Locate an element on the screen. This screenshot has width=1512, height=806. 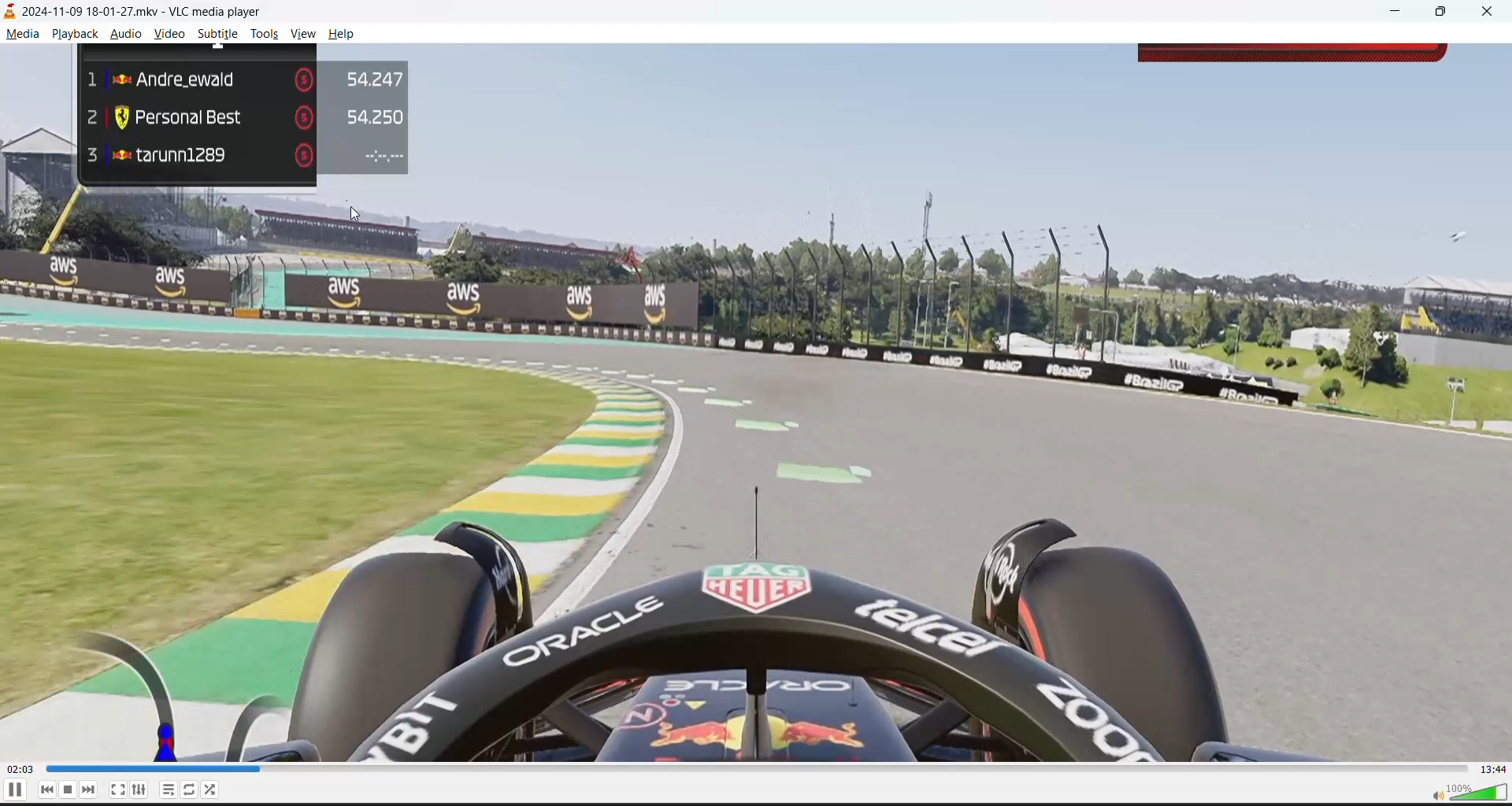
previous is located at coordinates (45, 789).